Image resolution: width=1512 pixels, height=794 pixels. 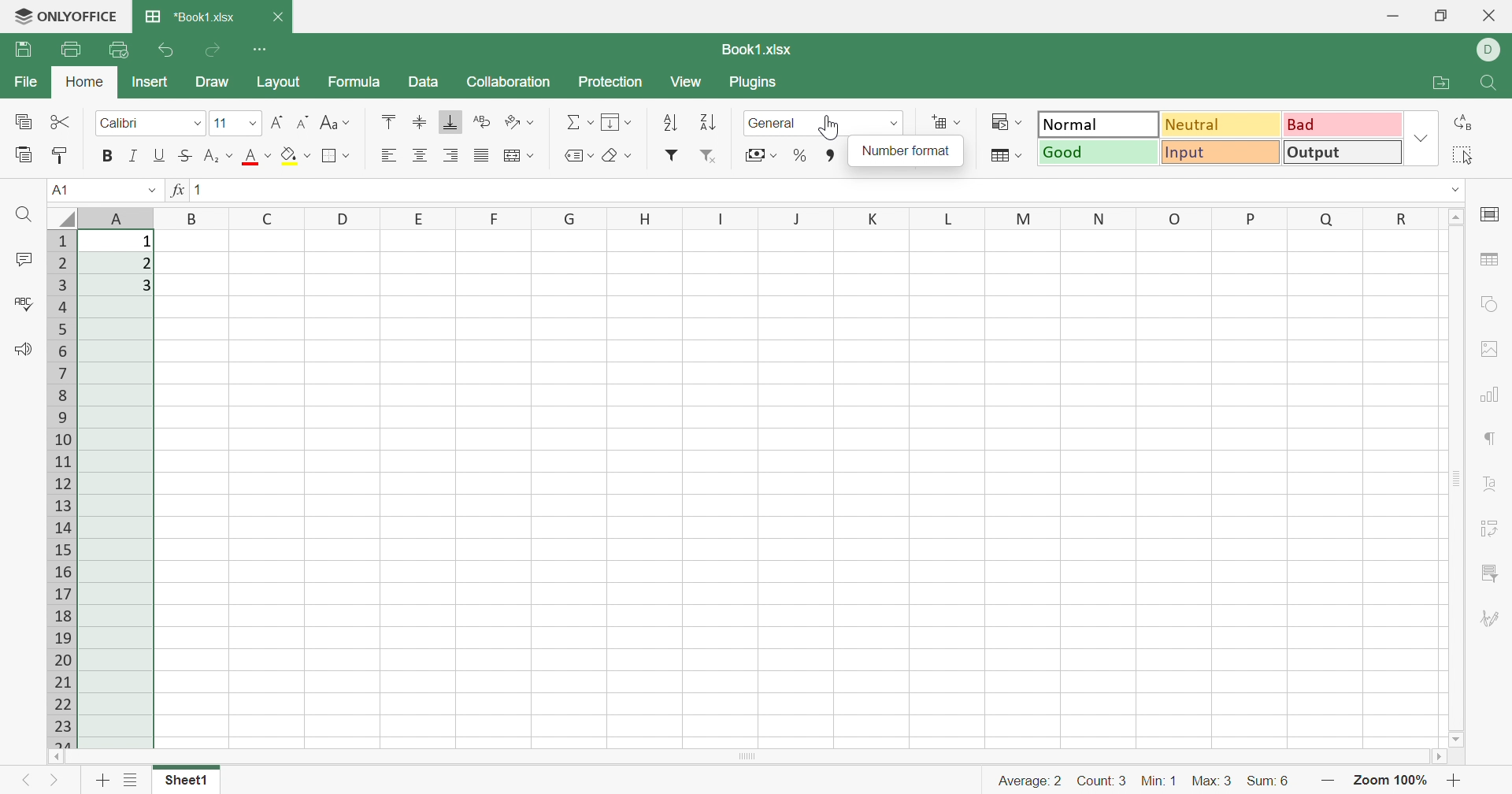 I want to click on Wrap text, so click(x=484, y=121).